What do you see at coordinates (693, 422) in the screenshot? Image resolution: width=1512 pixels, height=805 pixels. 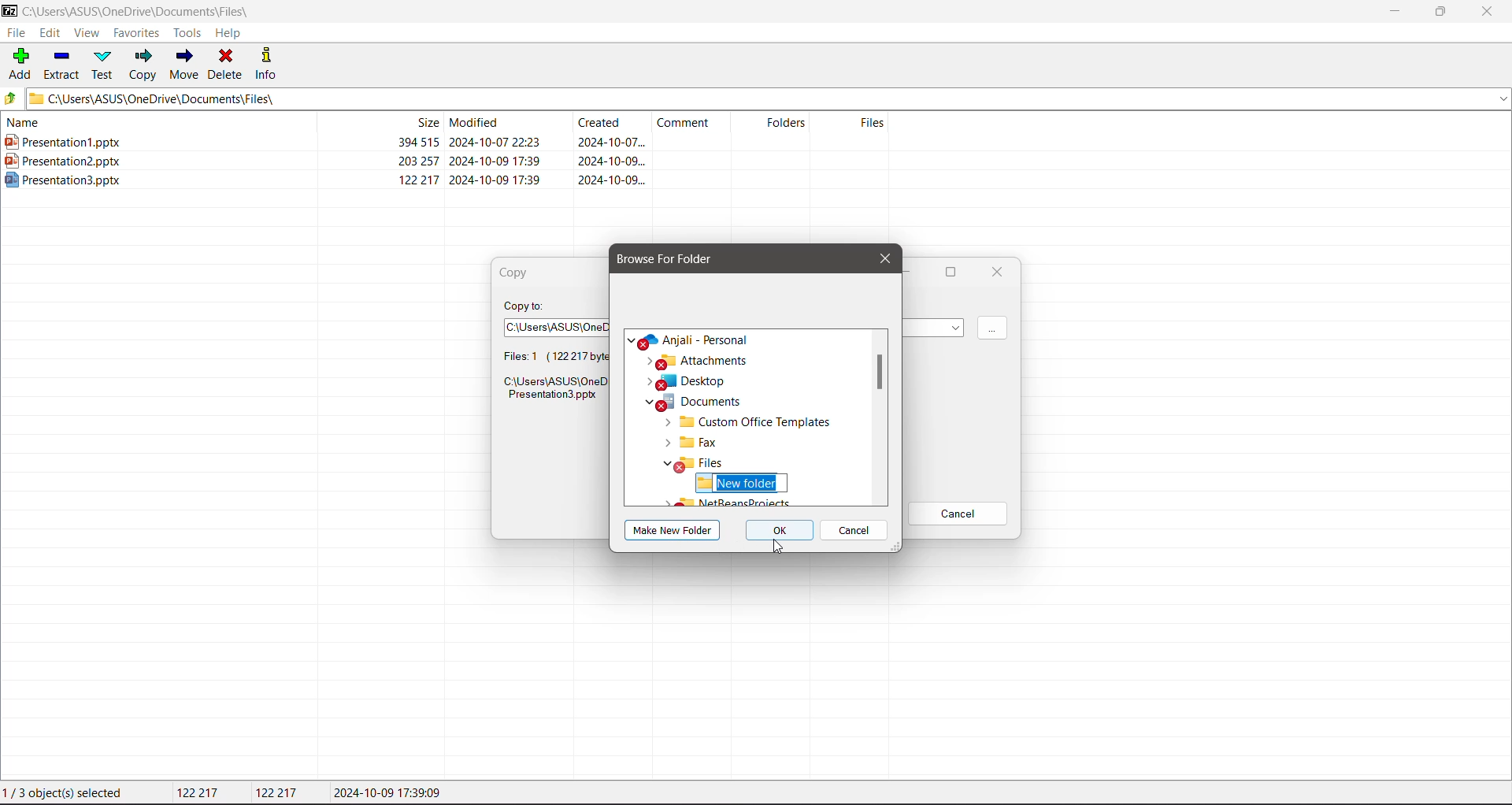 I see `Documents` at bounding box center [693, 422].